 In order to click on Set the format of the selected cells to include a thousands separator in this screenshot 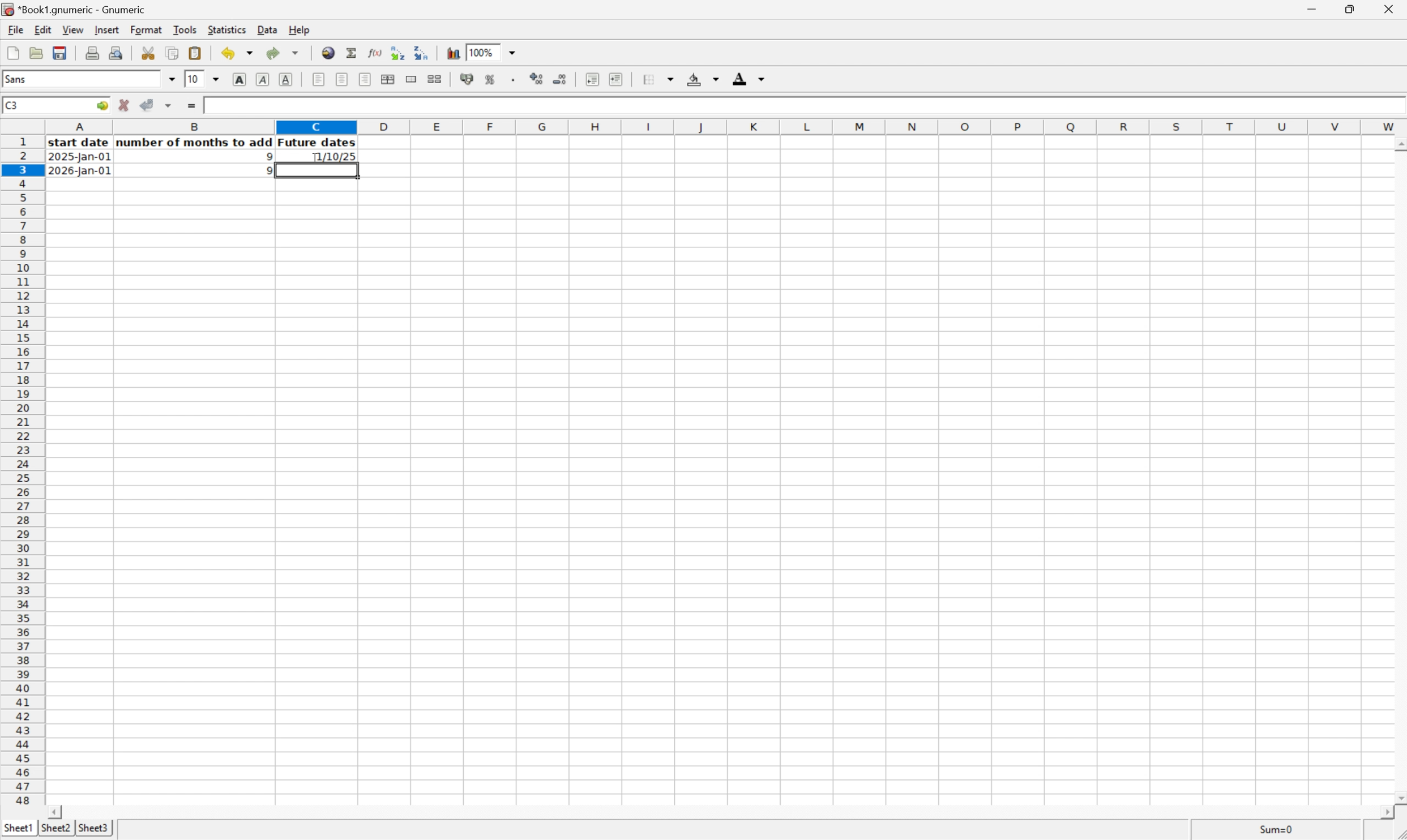, I will do `click(514, 80)`.